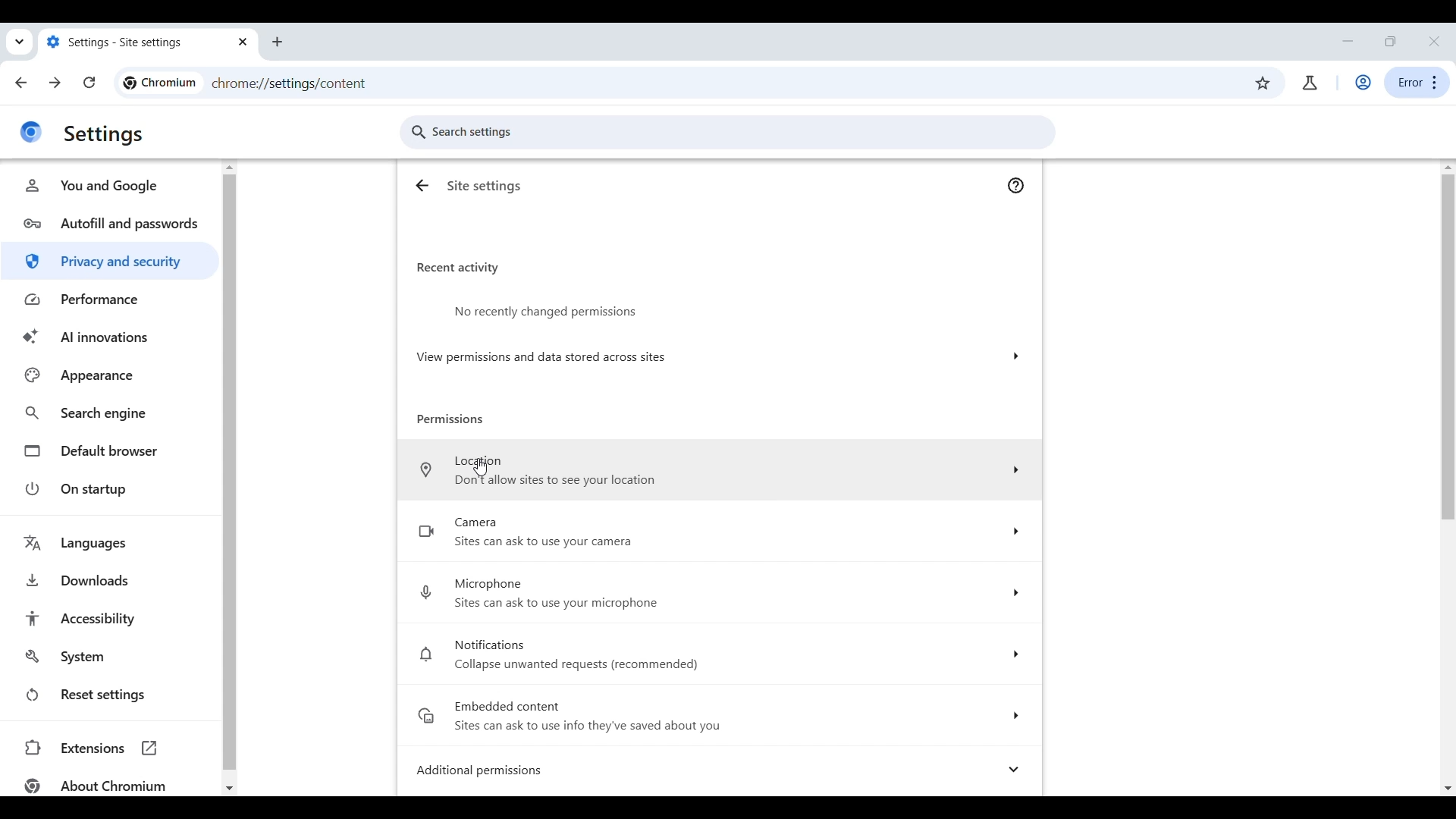 This screenshot has width=1456, height=819. I want to click on Recently changed permissions history, so click(720, 306).